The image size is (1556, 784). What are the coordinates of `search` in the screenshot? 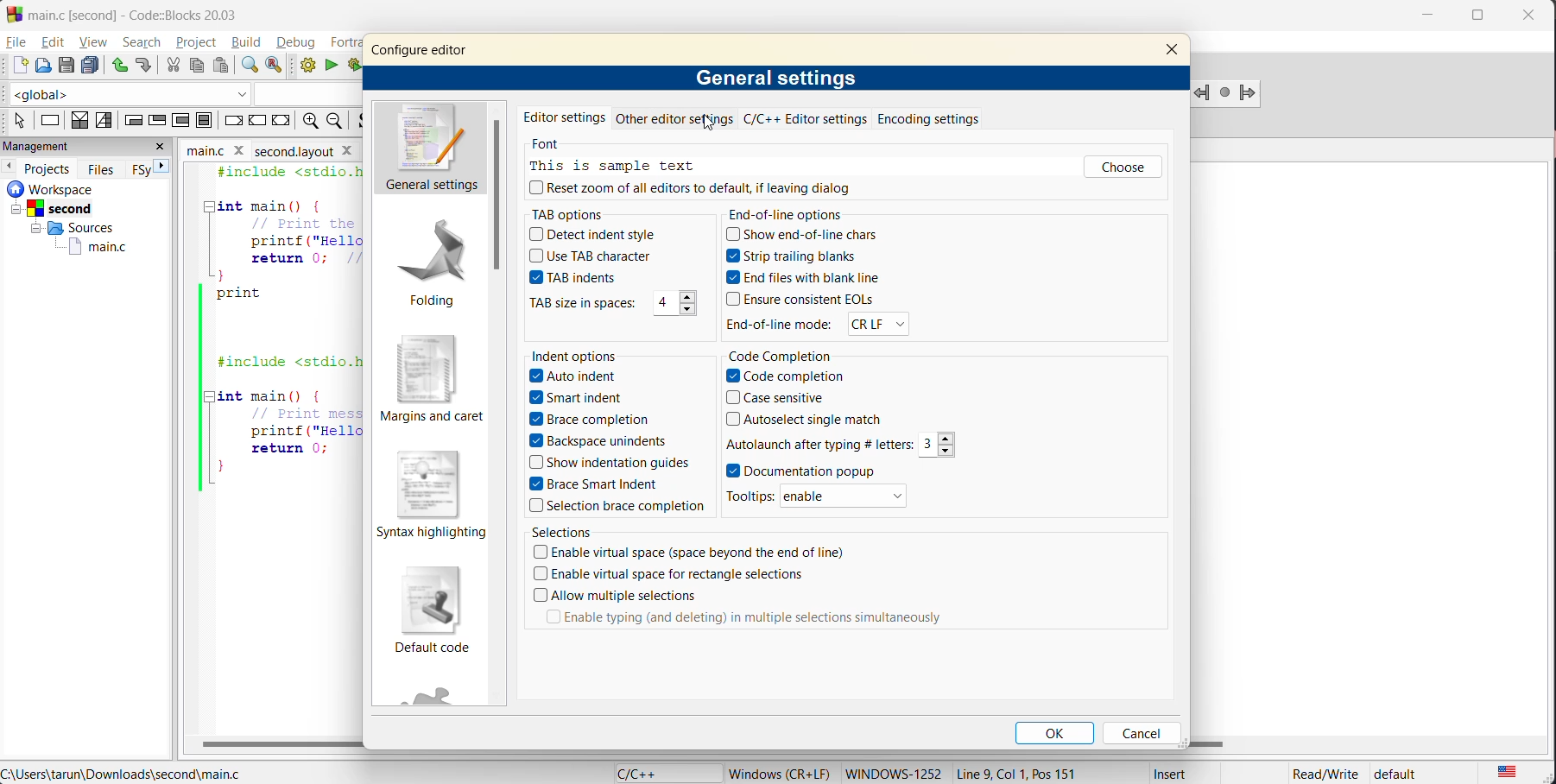 It's located at (145, 42).